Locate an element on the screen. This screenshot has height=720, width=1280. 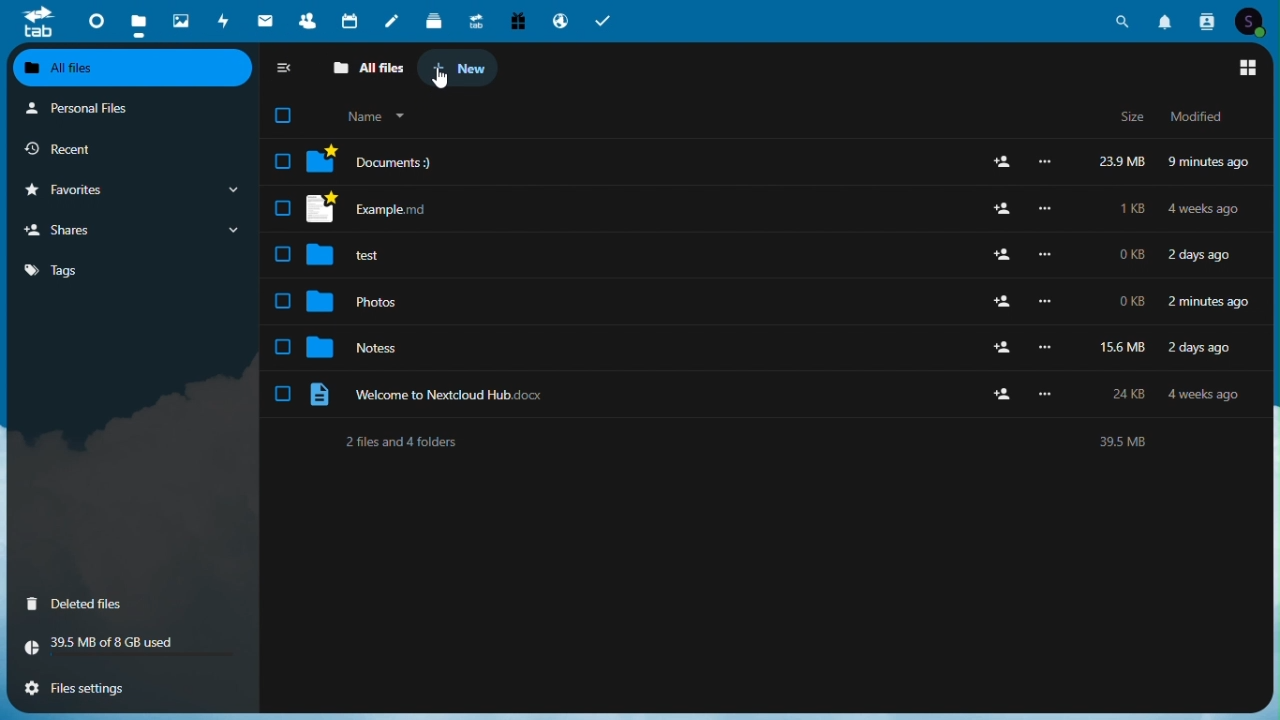
Checkbox is located at coordinates (276, 114).